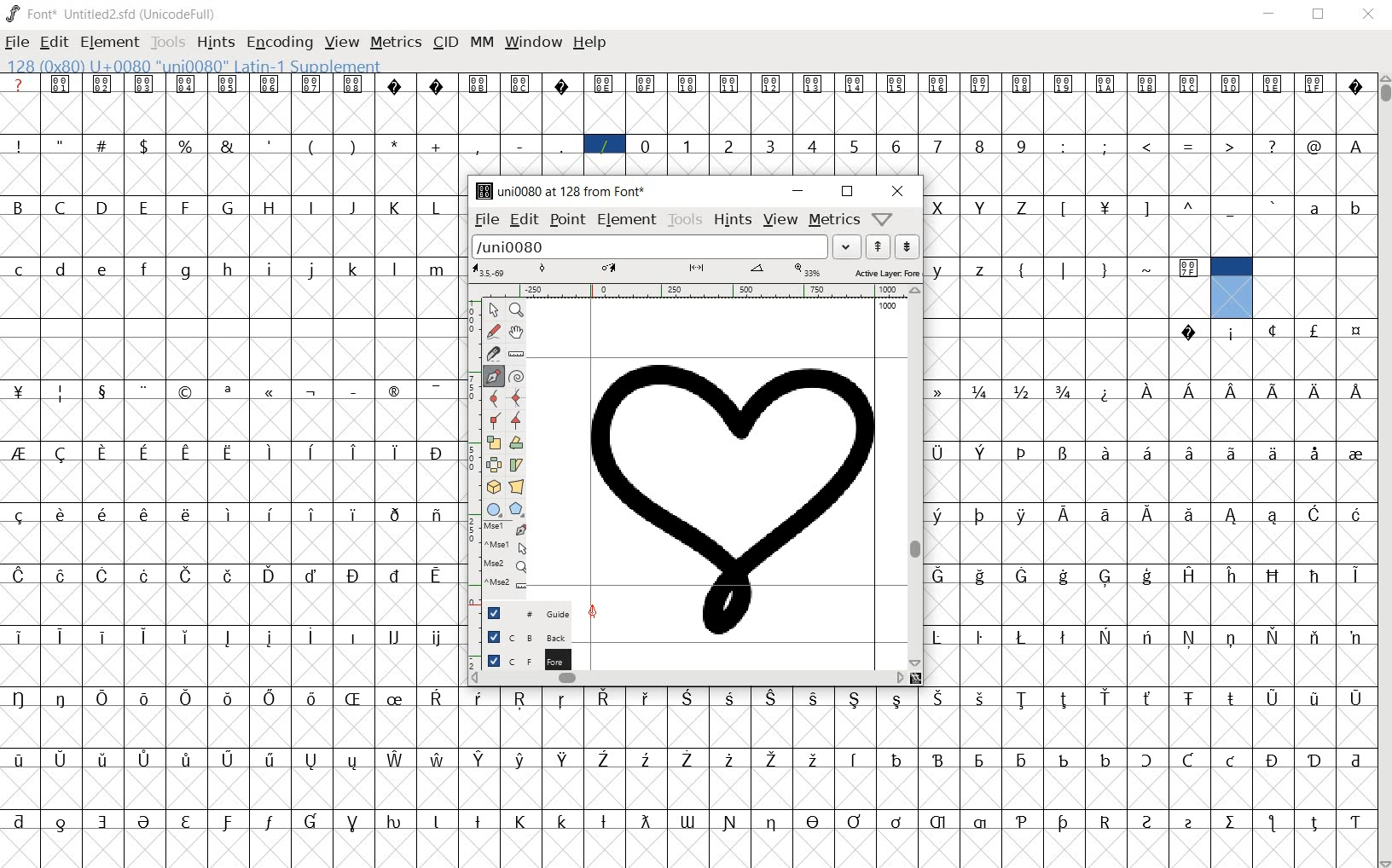 The image size is (1392, 868). Describe the element at coordinates (521, 219) in the screenshot. I see `edit` at that location.